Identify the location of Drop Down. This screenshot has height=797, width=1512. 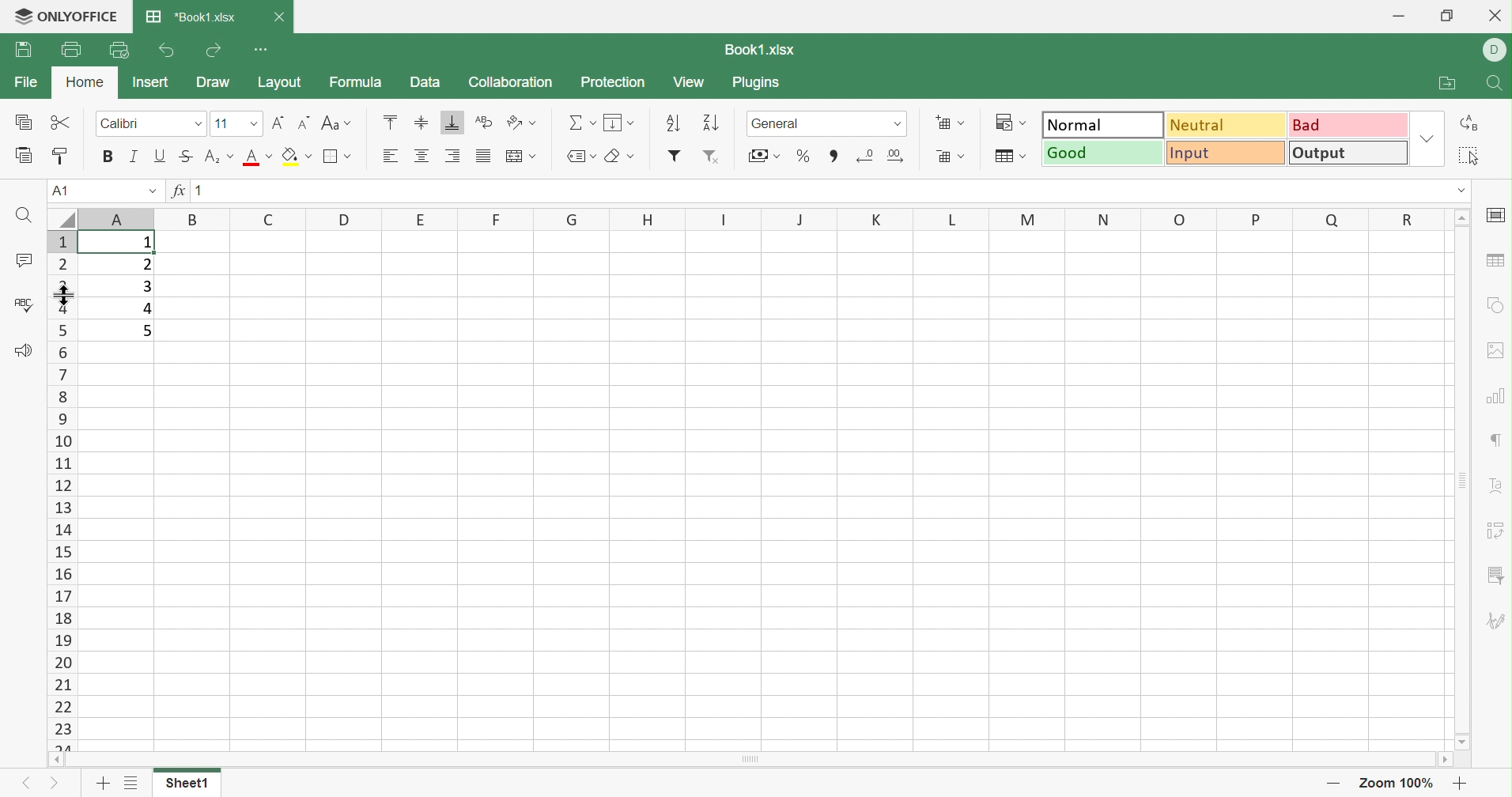
(270, 154).